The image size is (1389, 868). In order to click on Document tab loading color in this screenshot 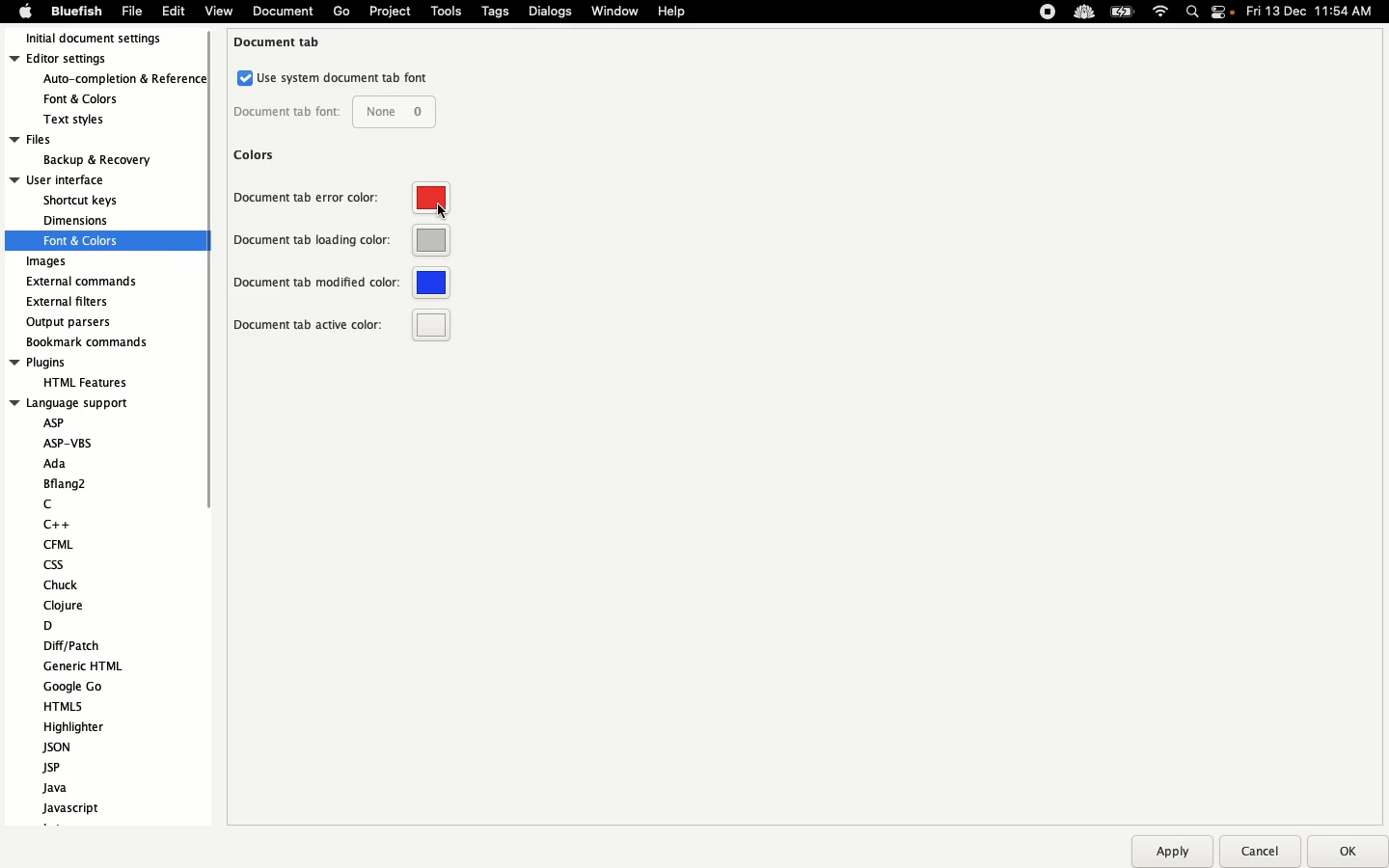, I will do `click(341, 244)`.